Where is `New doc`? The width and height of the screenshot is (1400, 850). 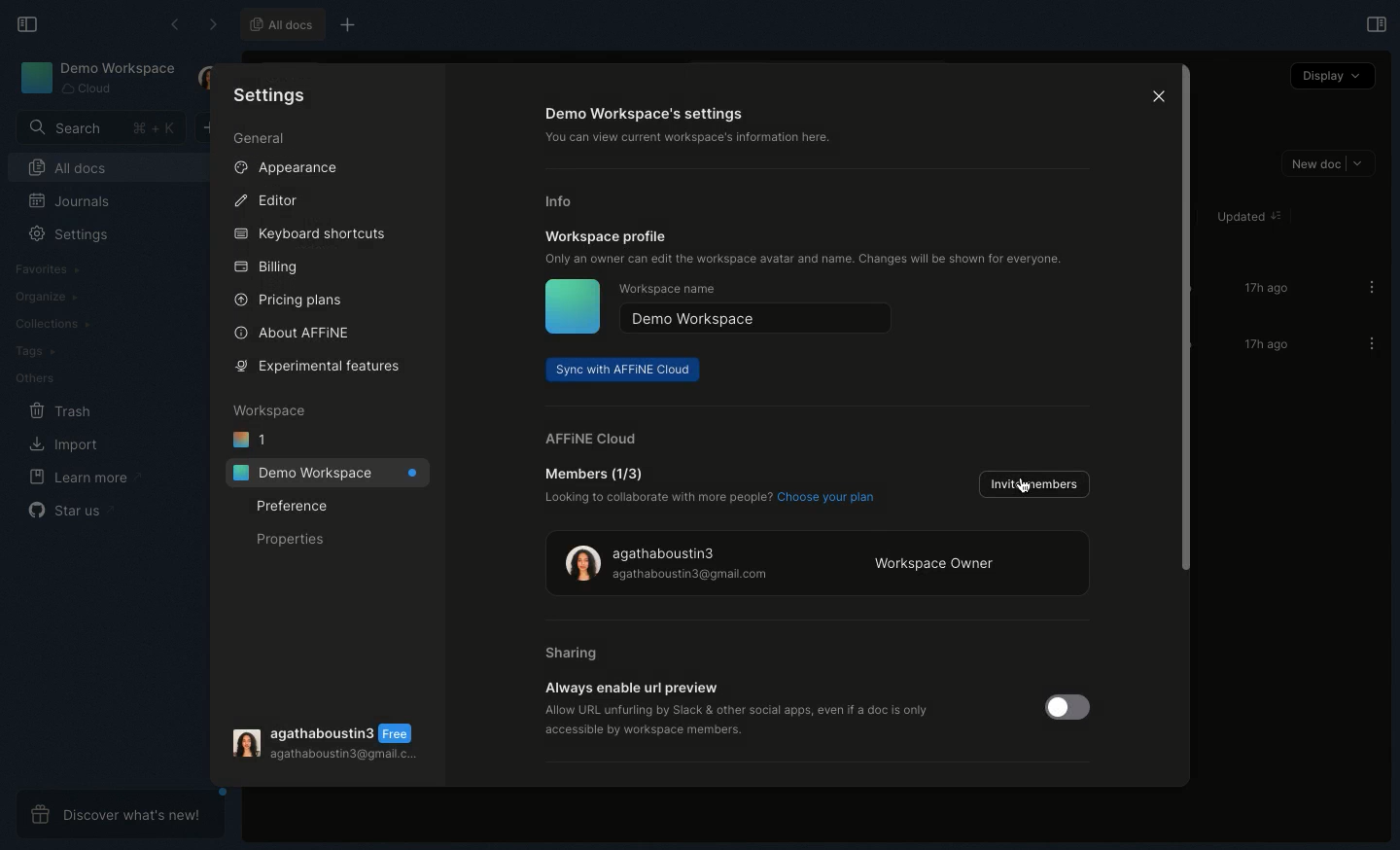
New doc is located at coordinates (214, 128).